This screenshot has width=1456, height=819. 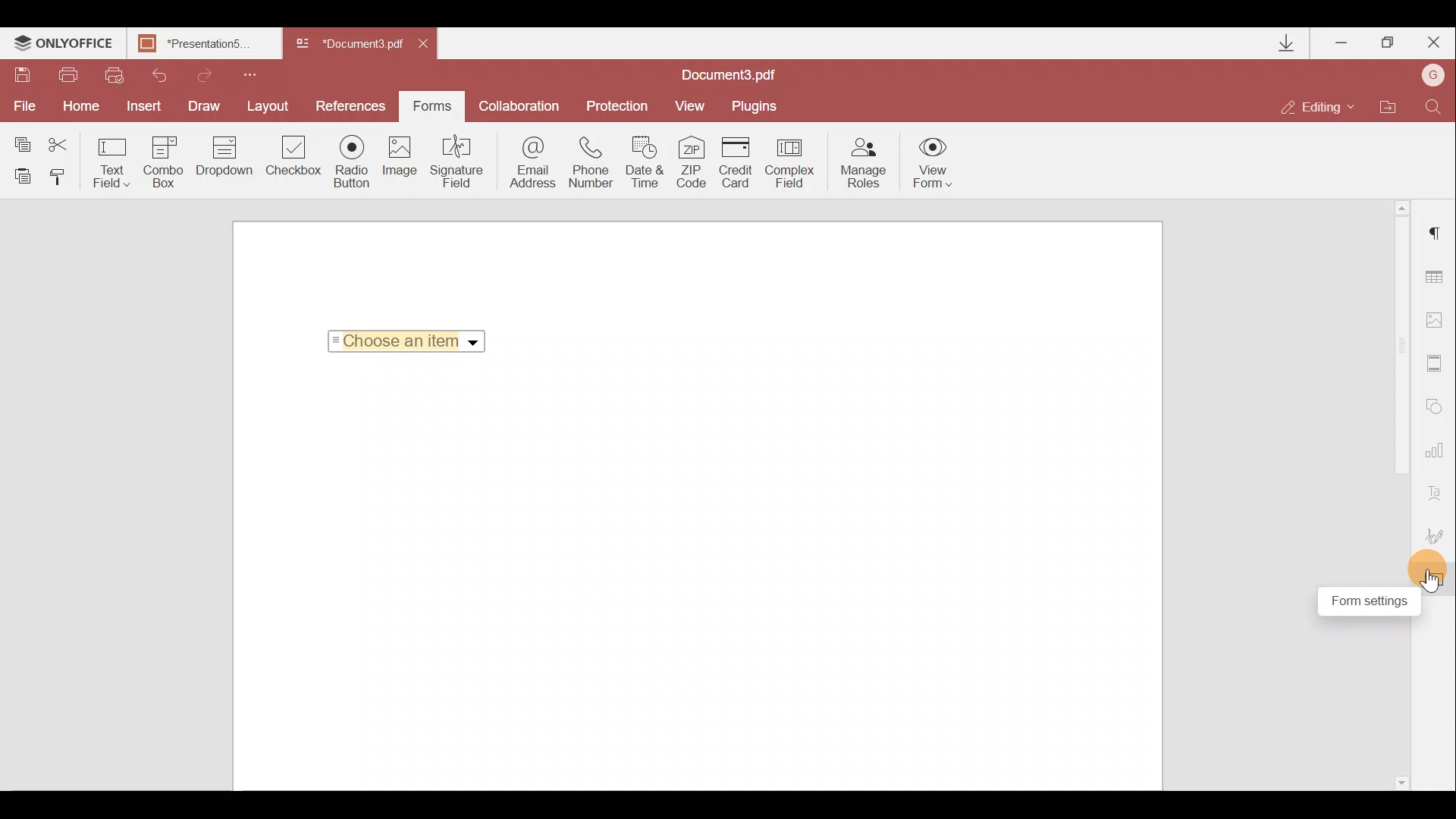 What do you see at coordinates (1438, 316) in the screenshot?
I see `Image settings` at bounding box center [1438, 316].